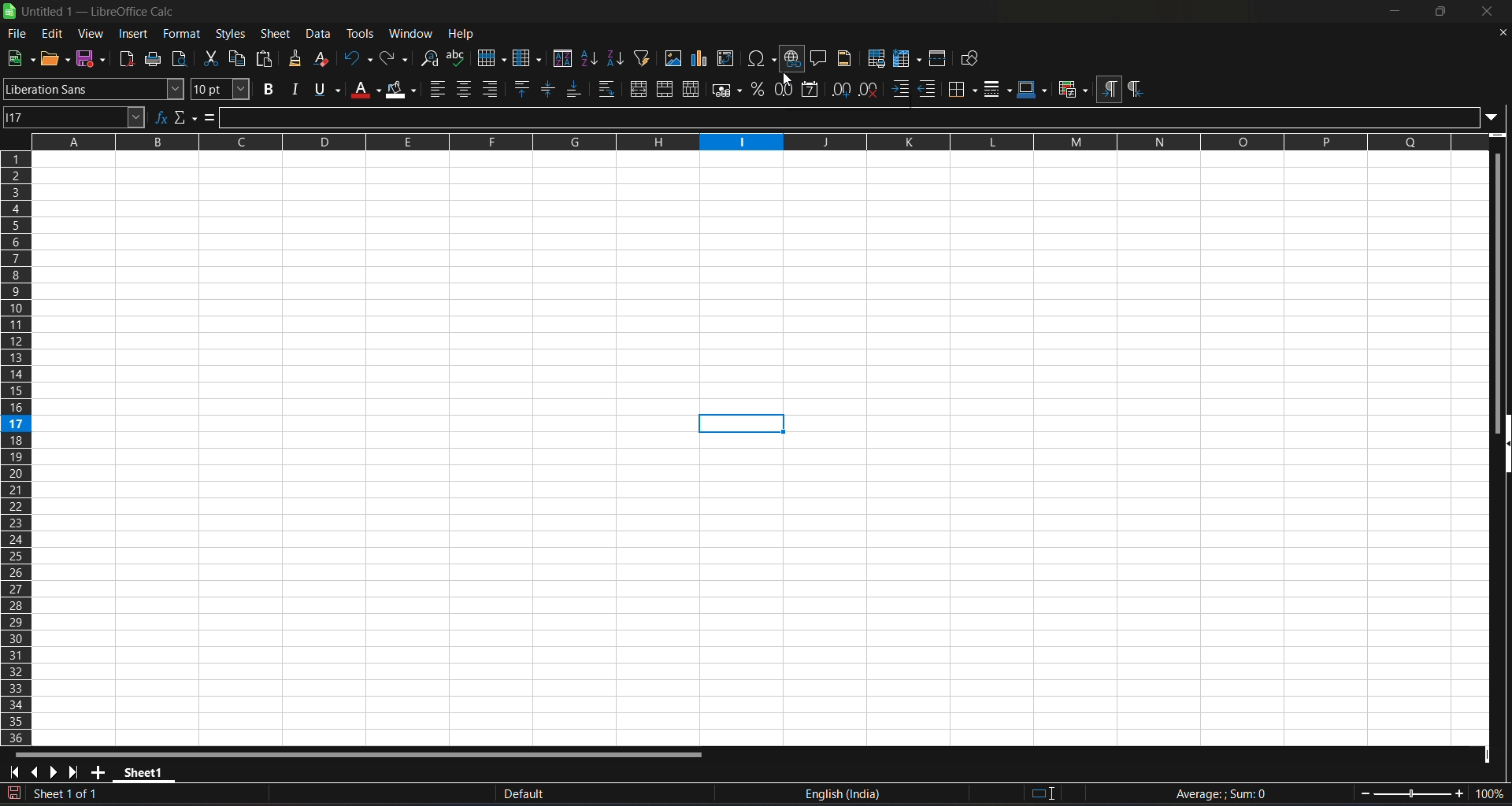  Describe the element at coordinates (97, 772) in the screenshot. I see `add new sheet` at that location.